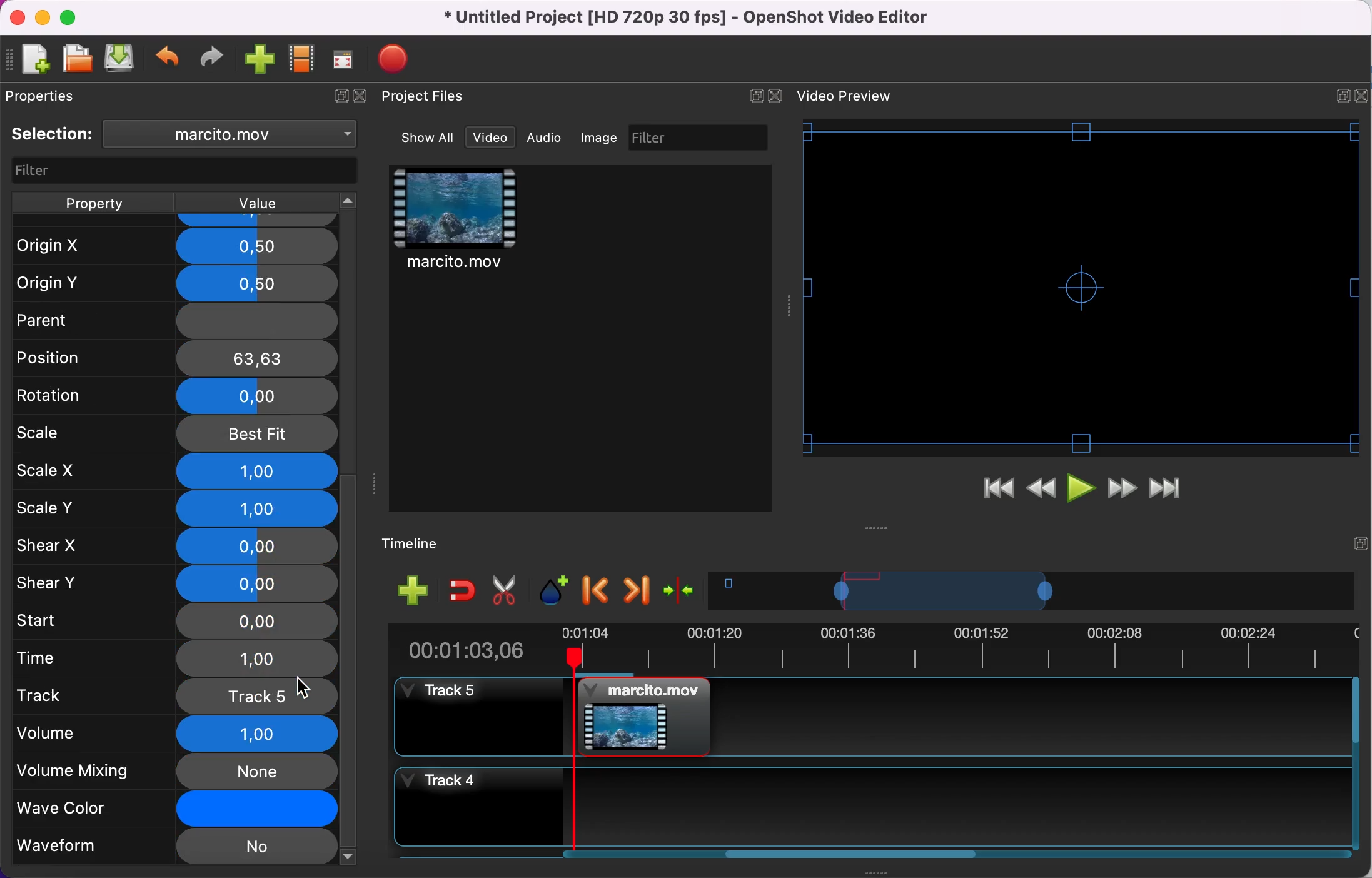  I want to click on Vertical slide bar, so click(1356, 763).